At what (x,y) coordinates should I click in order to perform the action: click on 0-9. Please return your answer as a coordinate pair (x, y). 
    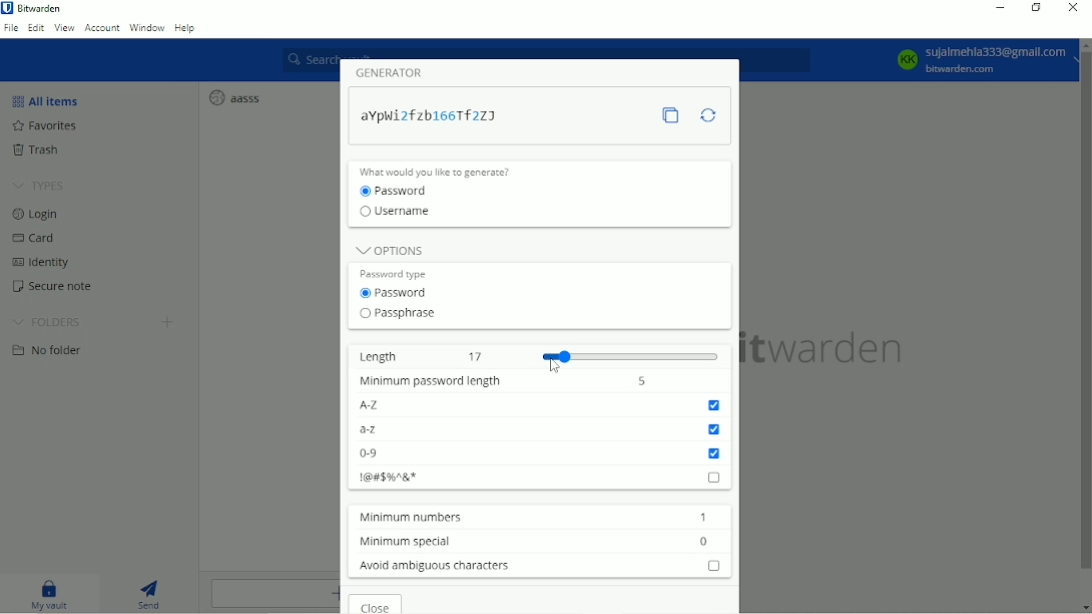
    Looking at the image, I should click on (540, 454).